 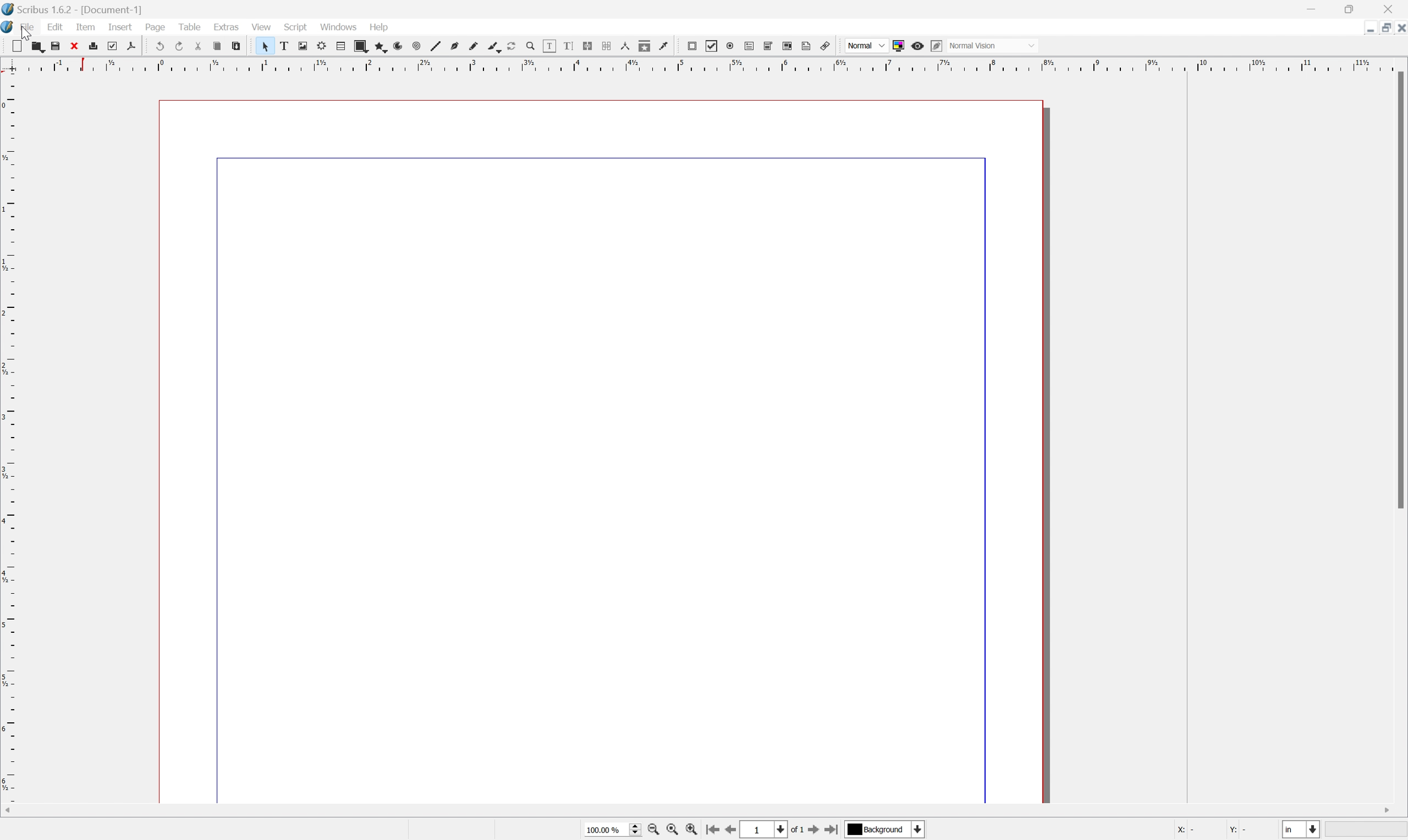 I want to click on PDF push button, so click(x=691, y=46).